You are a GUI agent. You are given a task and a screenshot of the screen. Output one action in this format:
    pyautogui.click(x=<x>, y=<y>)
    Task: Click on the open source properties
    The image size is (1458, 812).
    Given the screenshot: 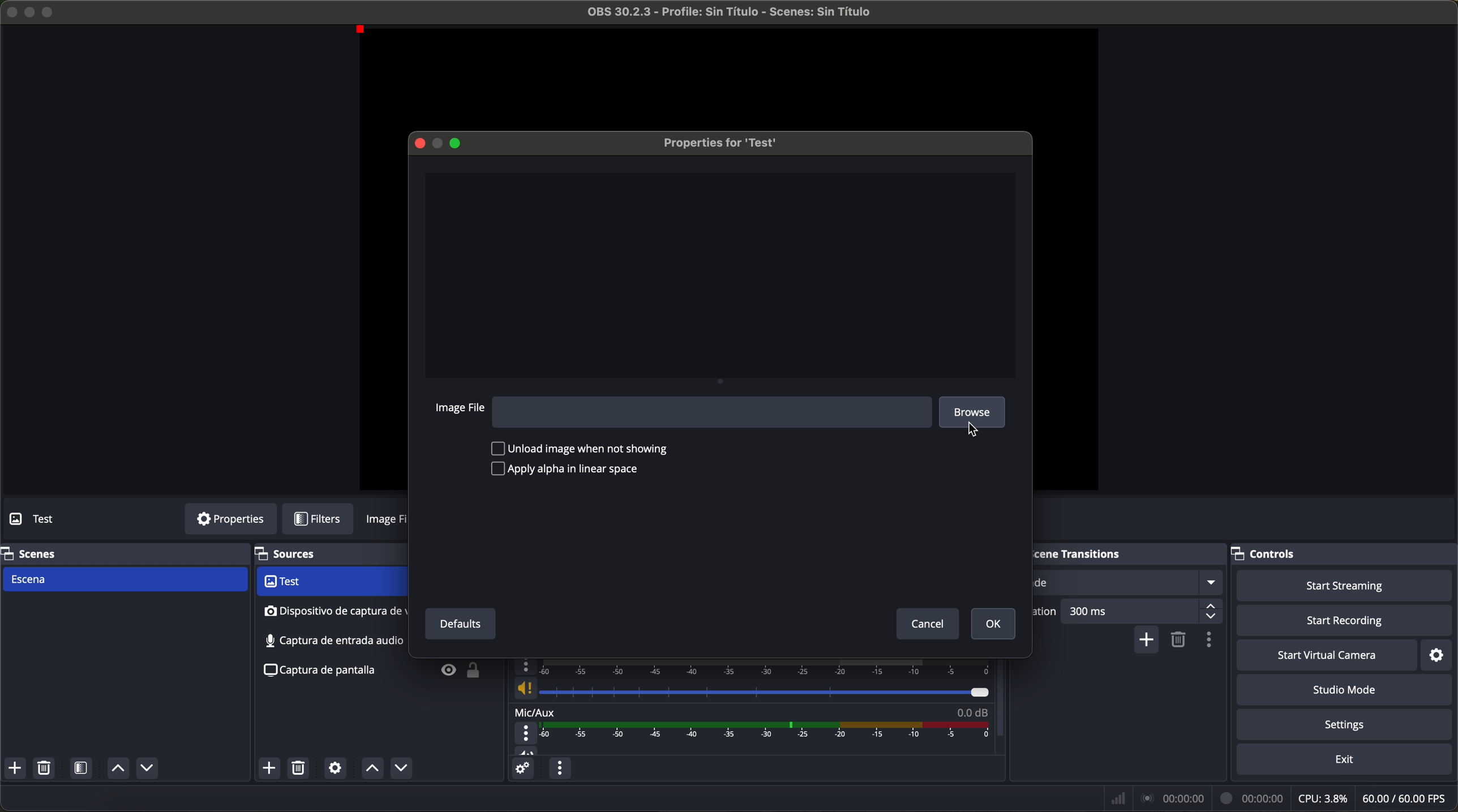 What is the action you would take?
    pyautogui.click(x=335, y=768)
    